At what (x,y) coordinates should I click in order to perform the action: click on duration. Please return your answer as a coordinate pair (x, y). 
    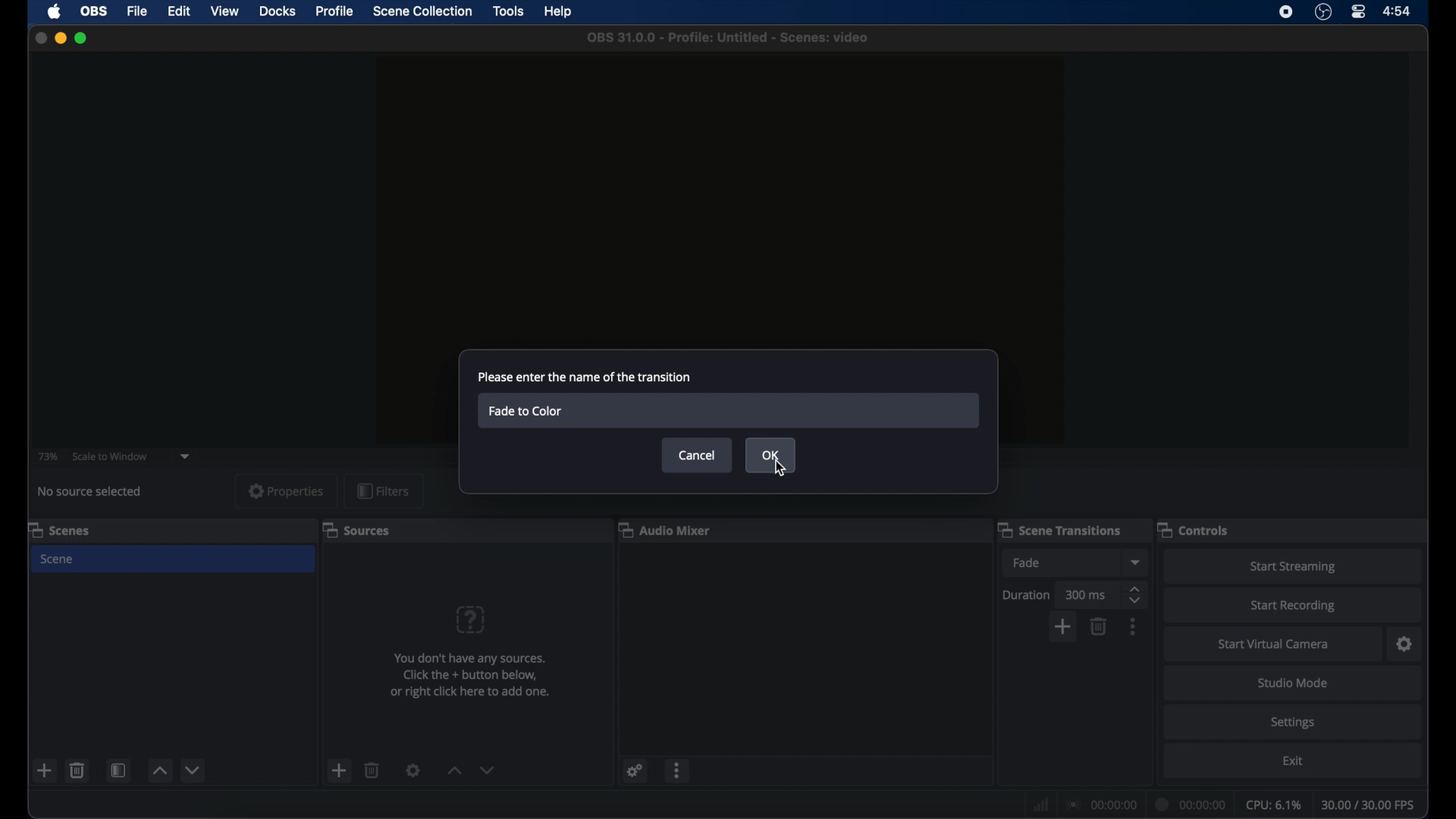
    Looking at the image, I should click on (1027, 595).